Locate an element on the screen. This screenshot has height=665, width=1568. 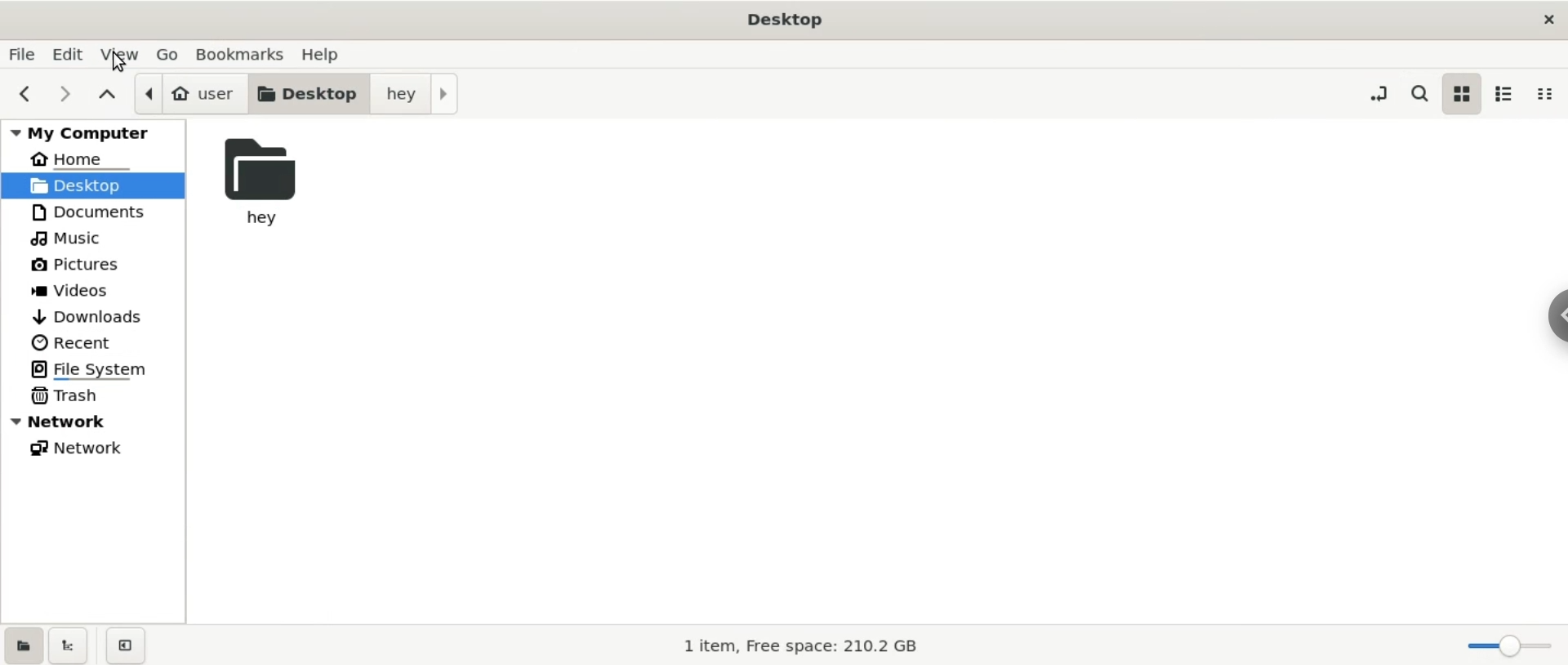
show places is located at coordinates (23, 645).